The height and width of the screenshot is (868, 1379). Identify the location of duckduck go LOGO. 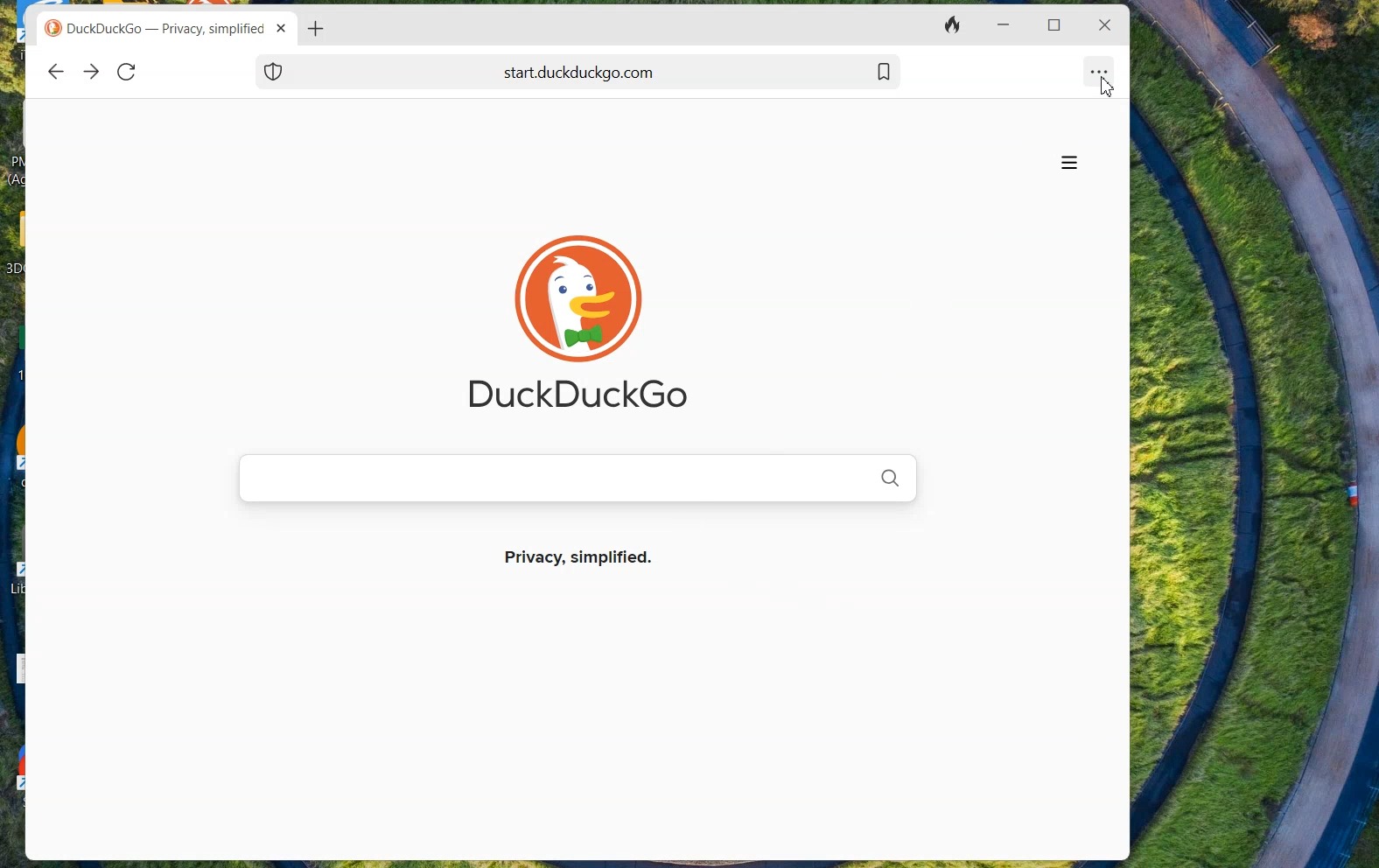
(576, 272).